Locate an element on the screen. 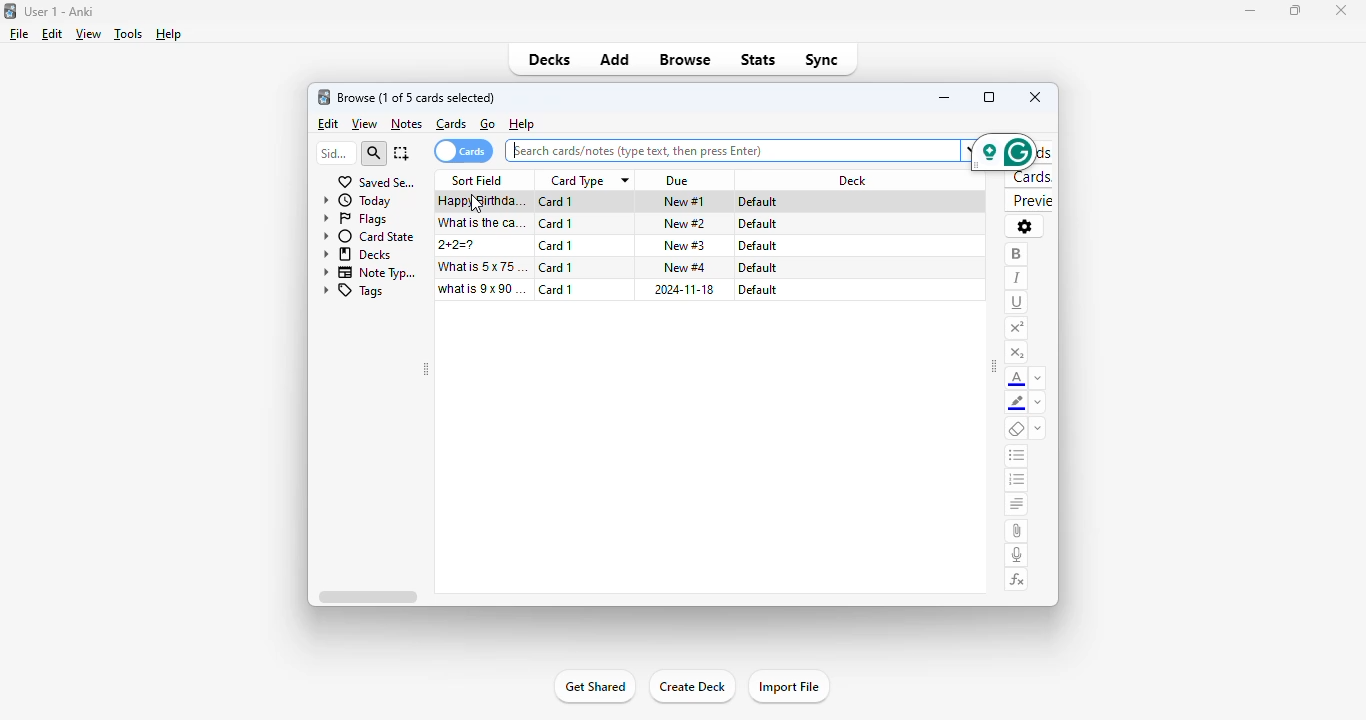  card 1 is located at coordinates (556, 224).